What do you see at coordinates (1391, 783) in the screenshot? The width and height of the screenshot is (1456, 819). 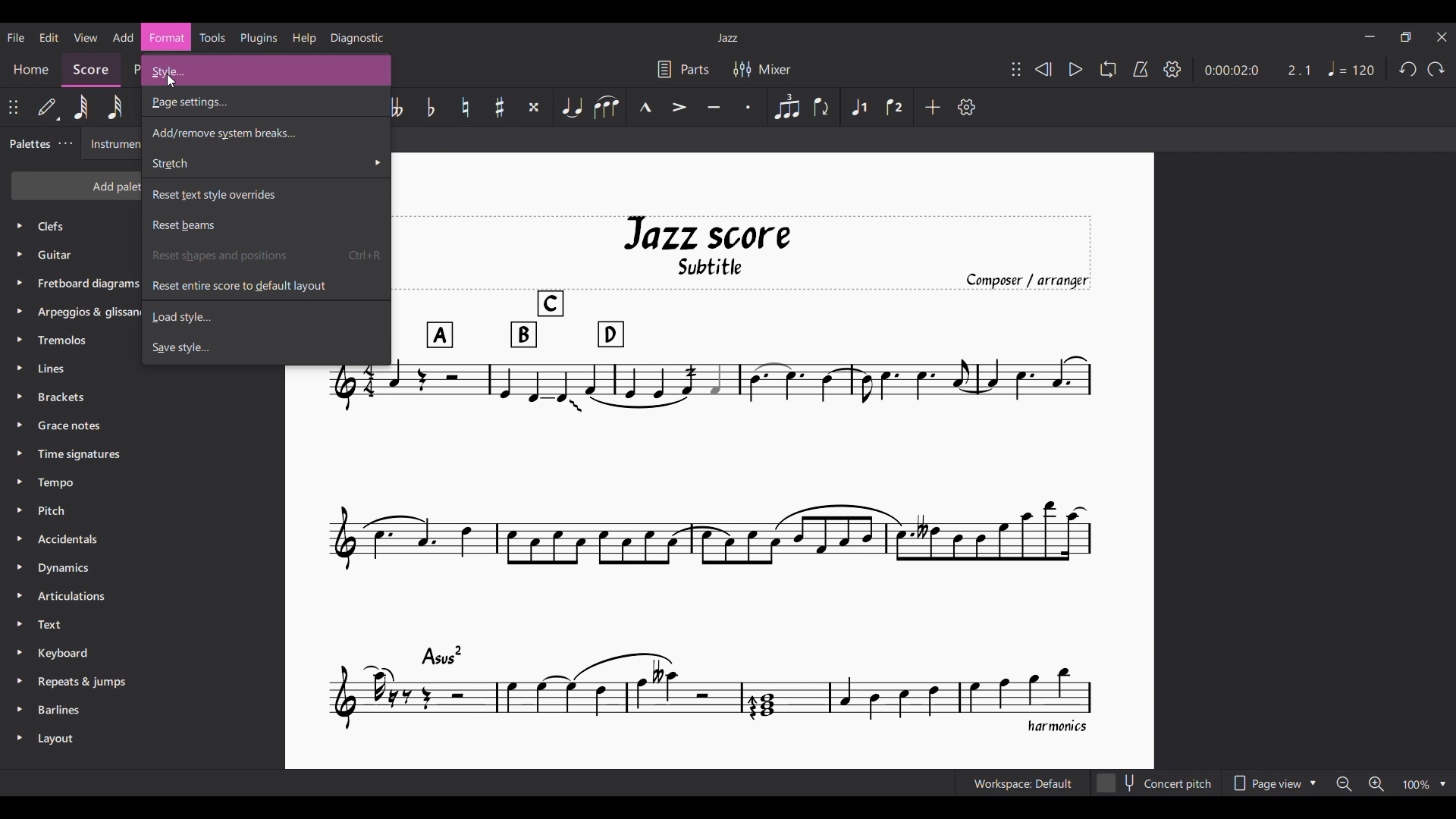 I see `Zoom options` at bounding box center [1391, 783].